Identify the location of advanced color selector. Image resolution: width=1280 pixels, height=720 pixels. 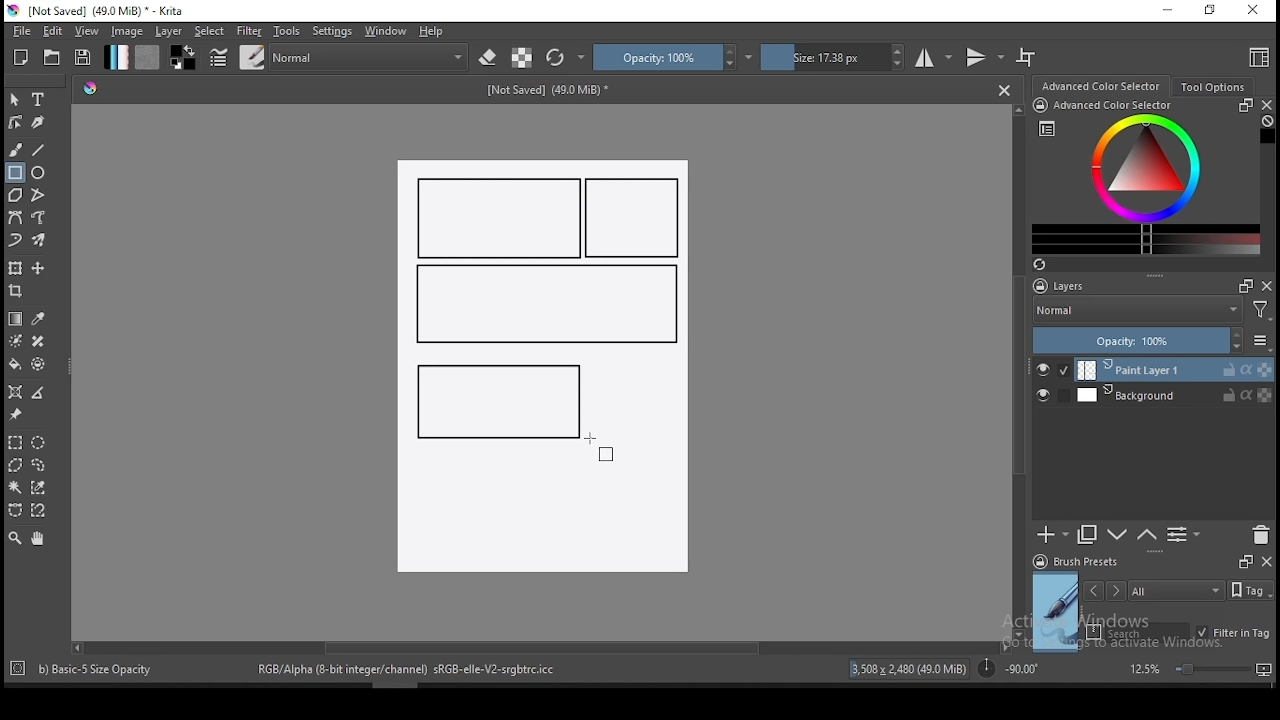
(1142, 176).